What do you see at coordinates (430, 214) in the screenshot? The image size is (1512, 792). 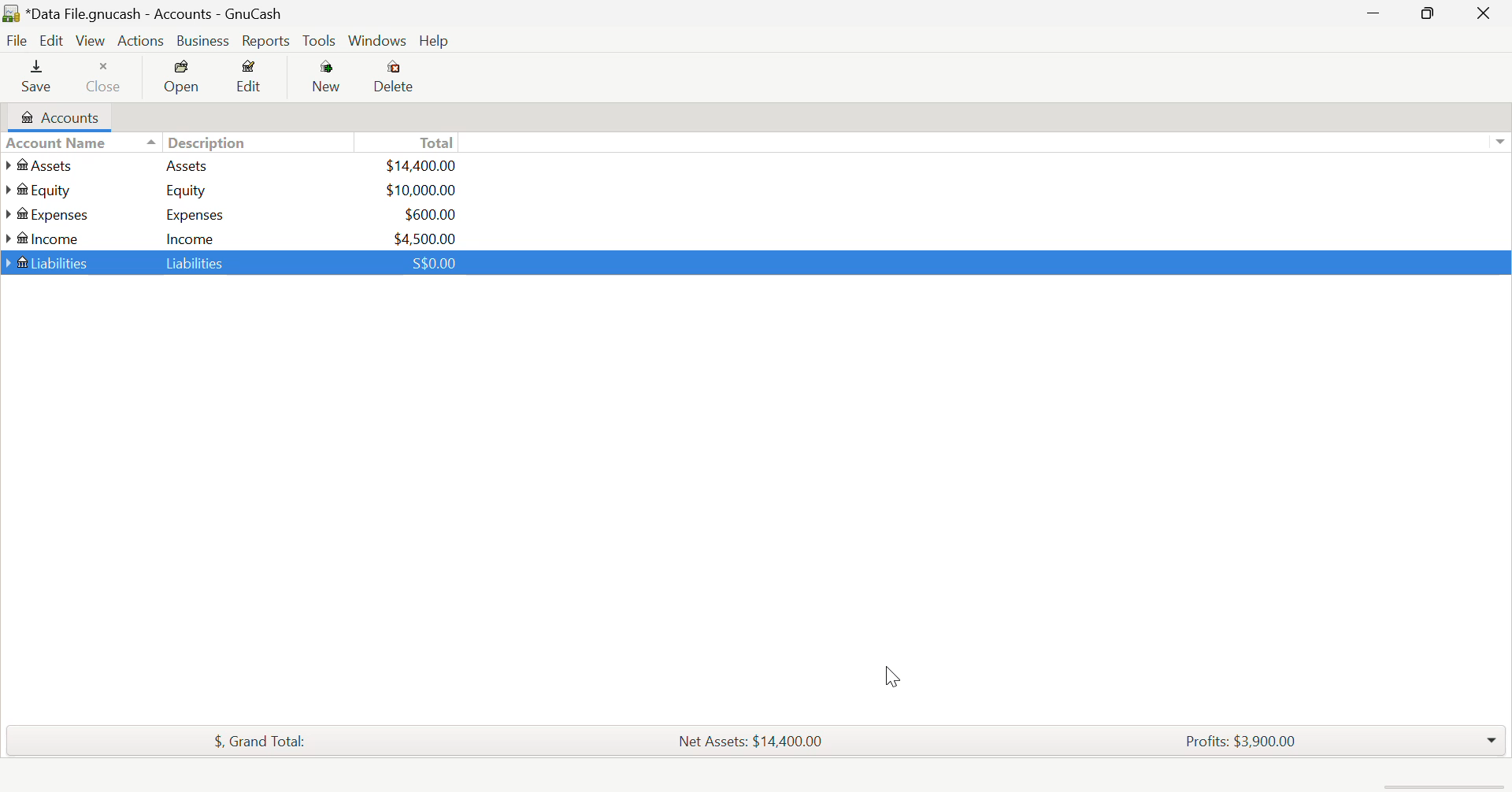 I see `USD` at bounding box center [430, 214].